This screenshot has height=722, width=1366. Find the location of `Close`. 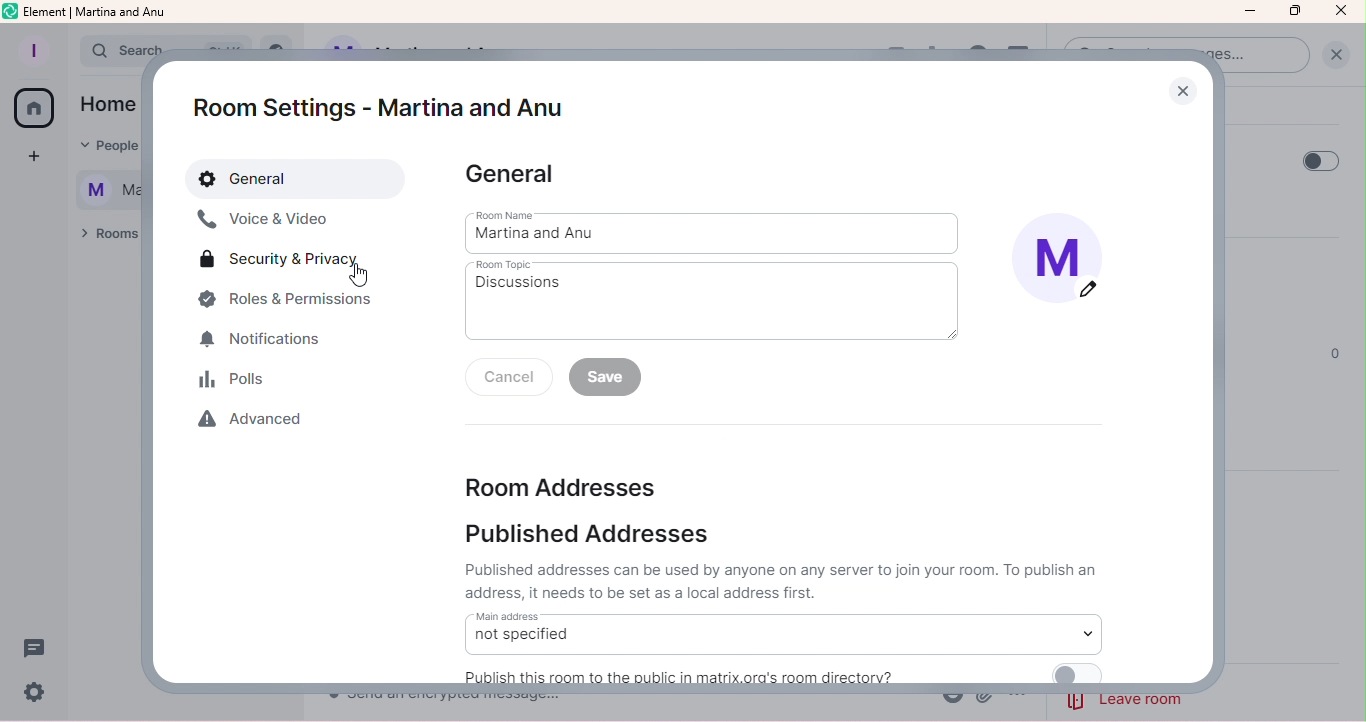

Close is located at coordinates (1175, 90).